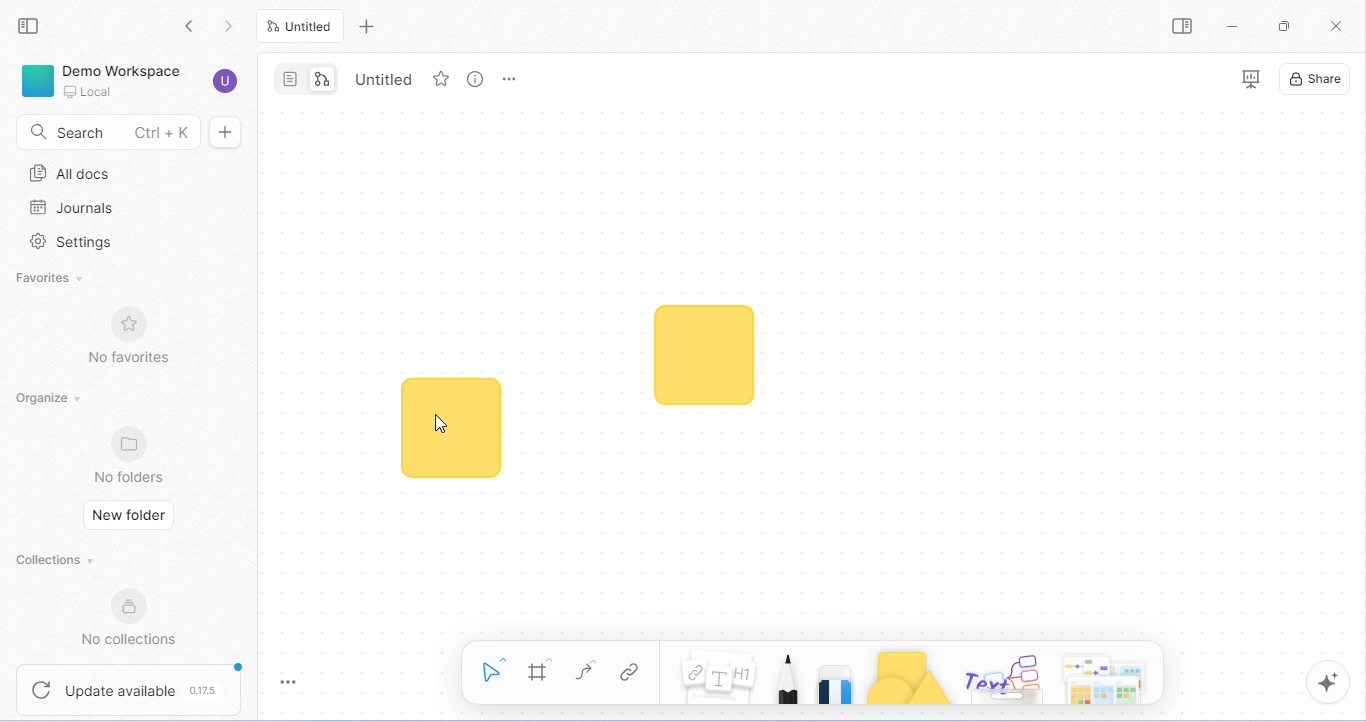 The image size is (1366, 722). I want to click on search Ctrl+K, so click(105, 130).